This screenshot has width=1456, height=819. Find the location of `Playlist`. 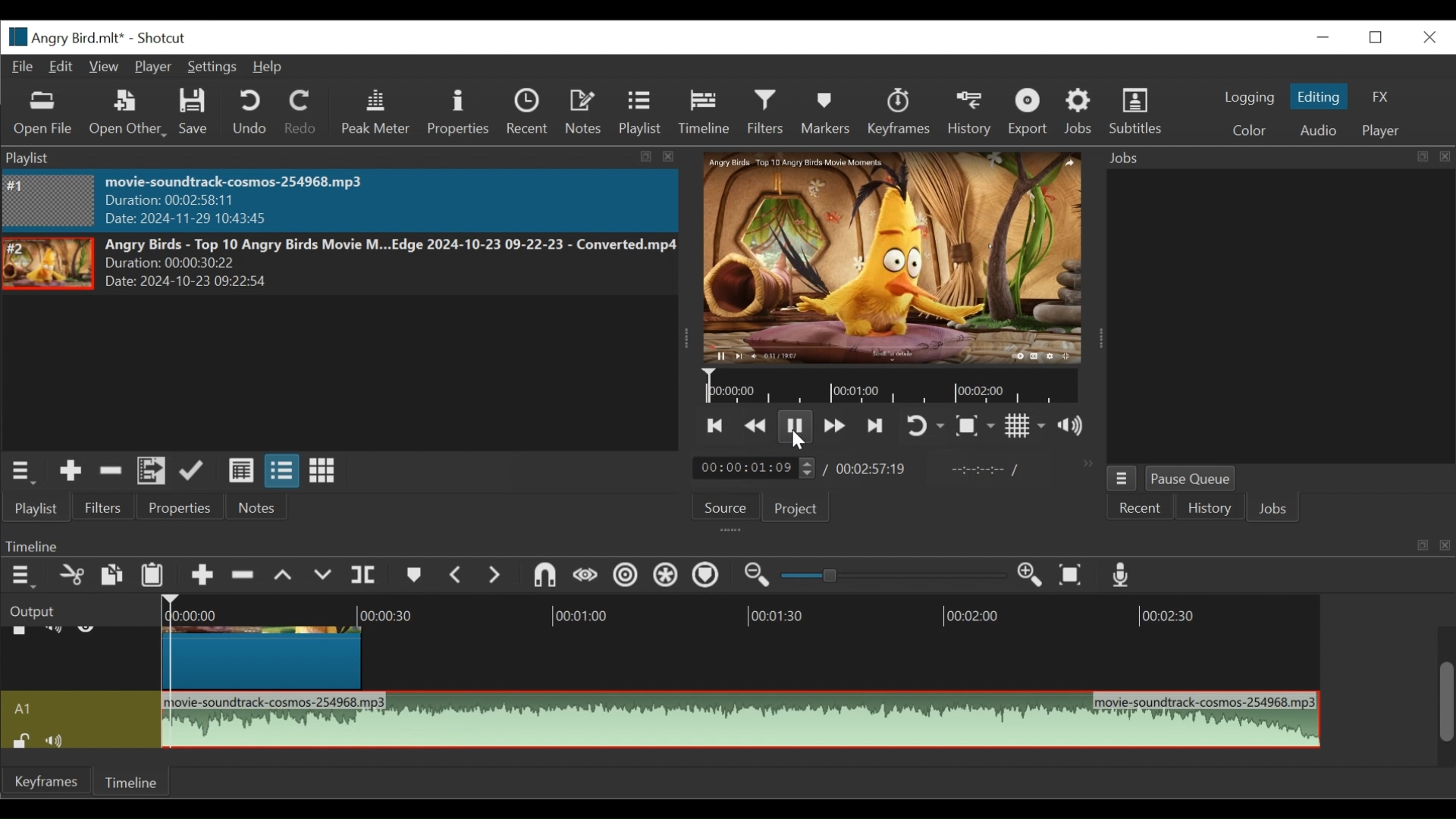

Playlist is located at coordinates (640, 114).